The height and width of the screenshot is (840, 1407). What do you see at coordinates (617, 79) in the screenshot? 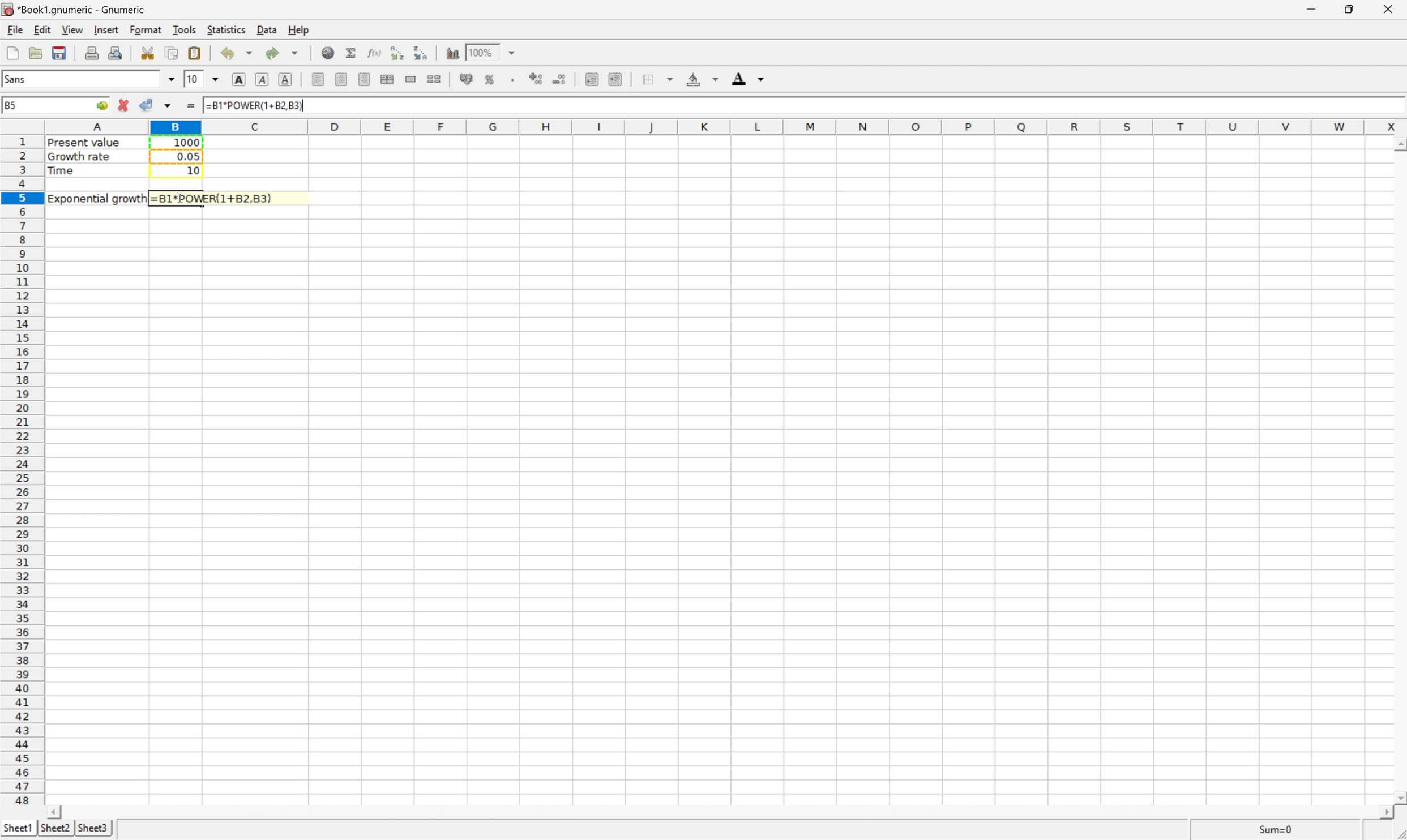
I see `Increase indent, and align the contents to the left` at bounding box center [617, 79].